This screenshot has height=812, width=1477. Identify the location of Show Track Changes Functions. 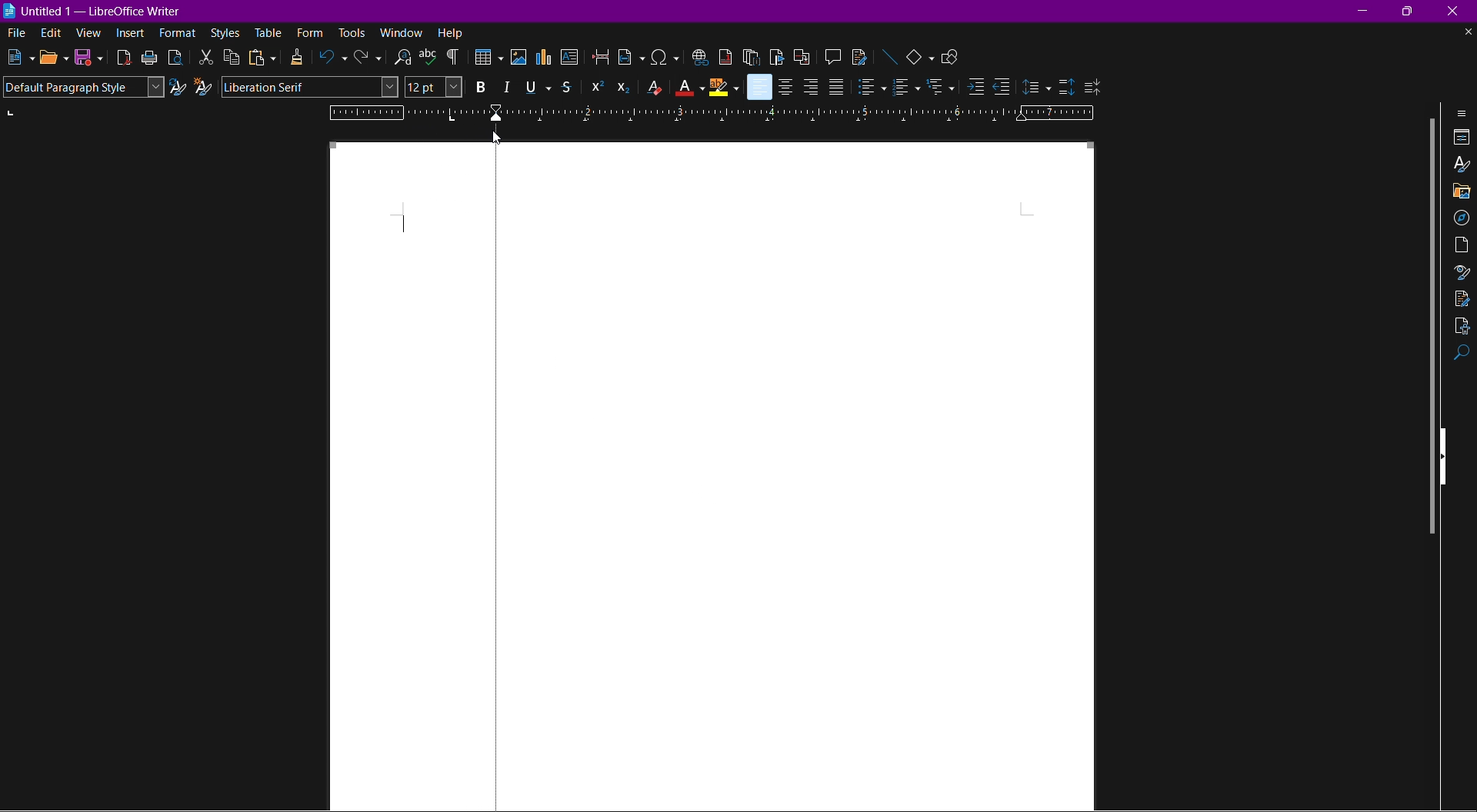
(859, 56).